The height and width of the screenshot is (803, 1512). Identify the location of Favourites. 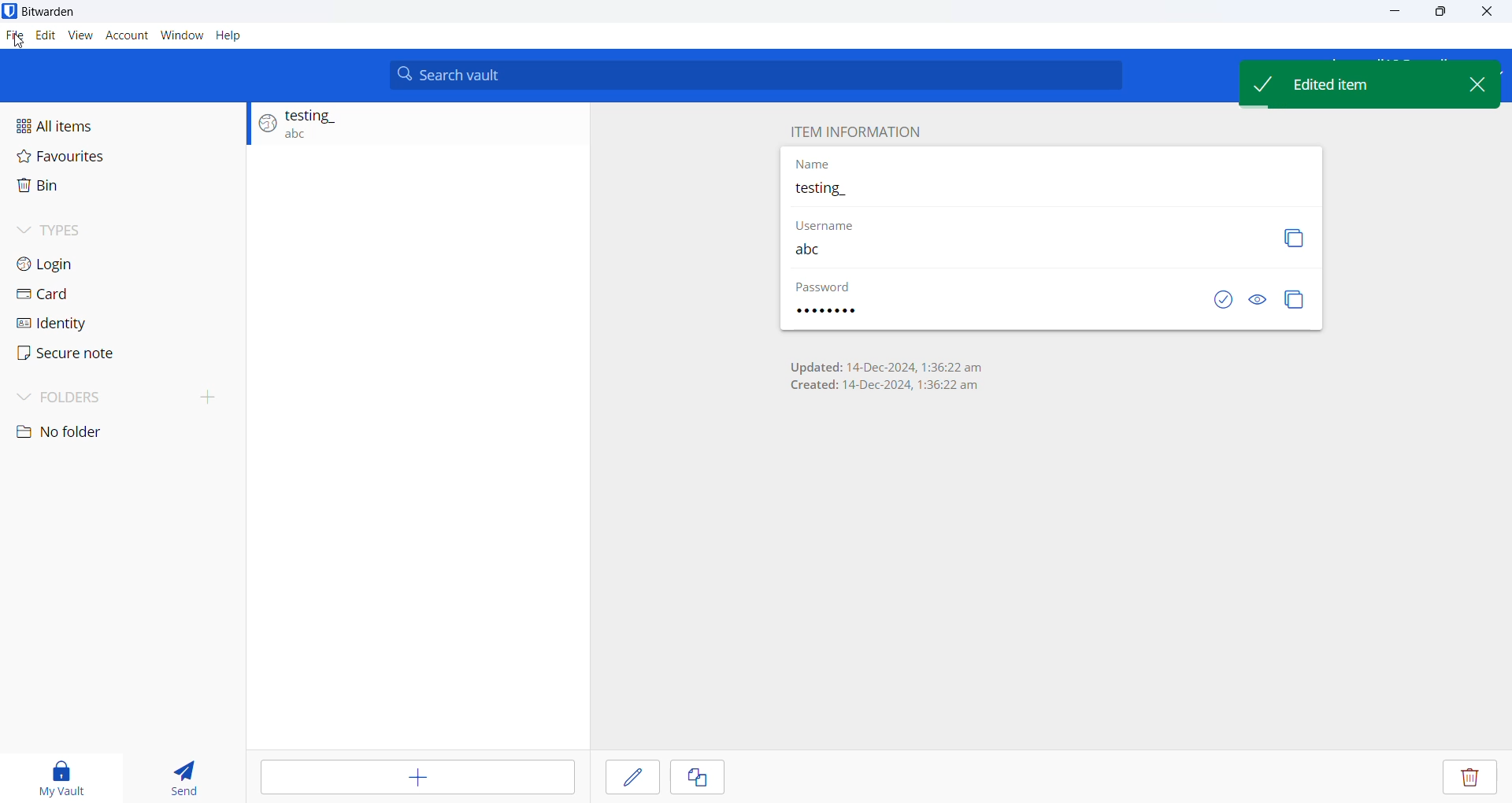
(121, 155).